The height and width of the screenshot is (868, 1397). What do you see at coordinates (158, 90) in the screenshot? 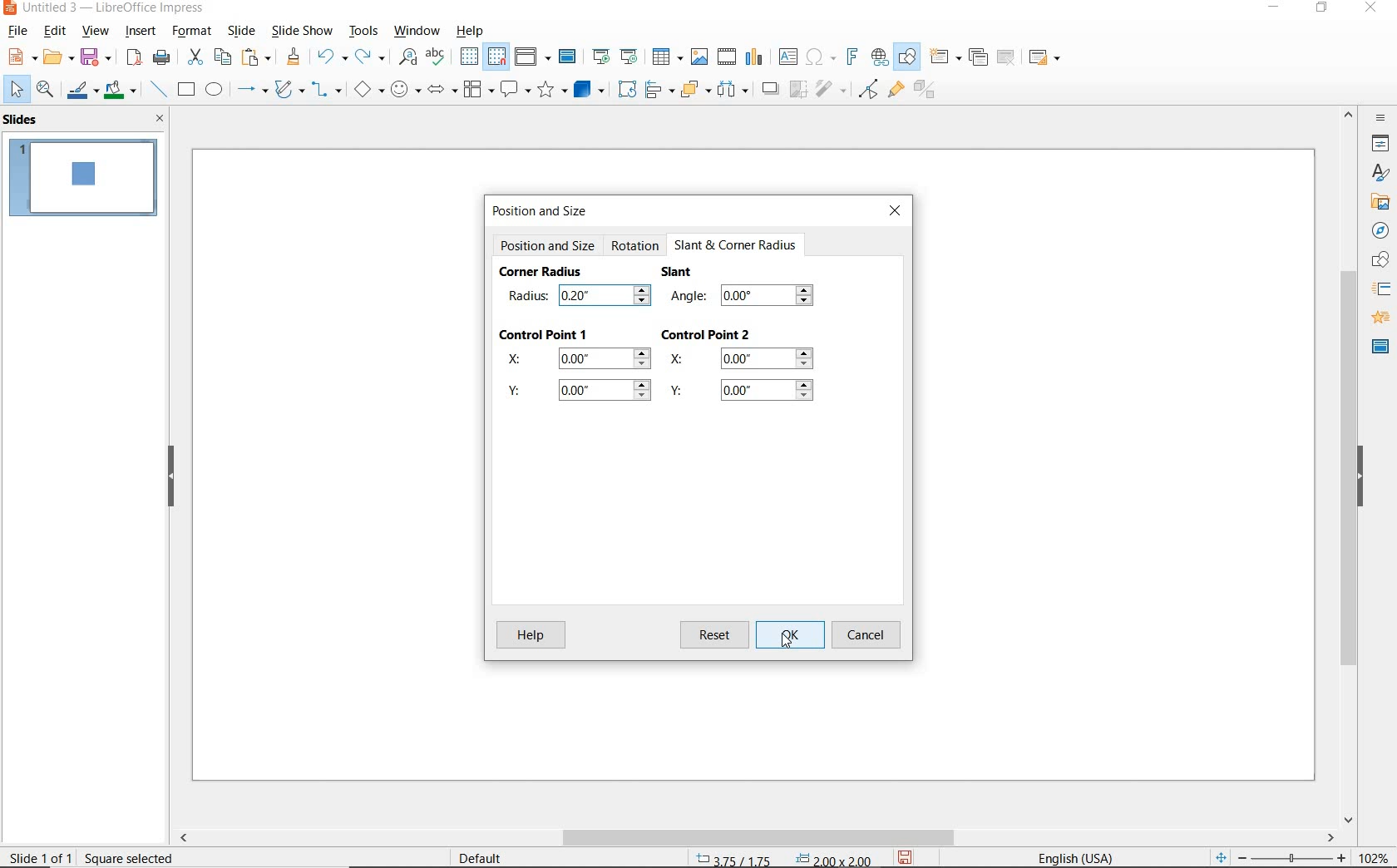
I see `insert line` at bounding box center [158, 90].